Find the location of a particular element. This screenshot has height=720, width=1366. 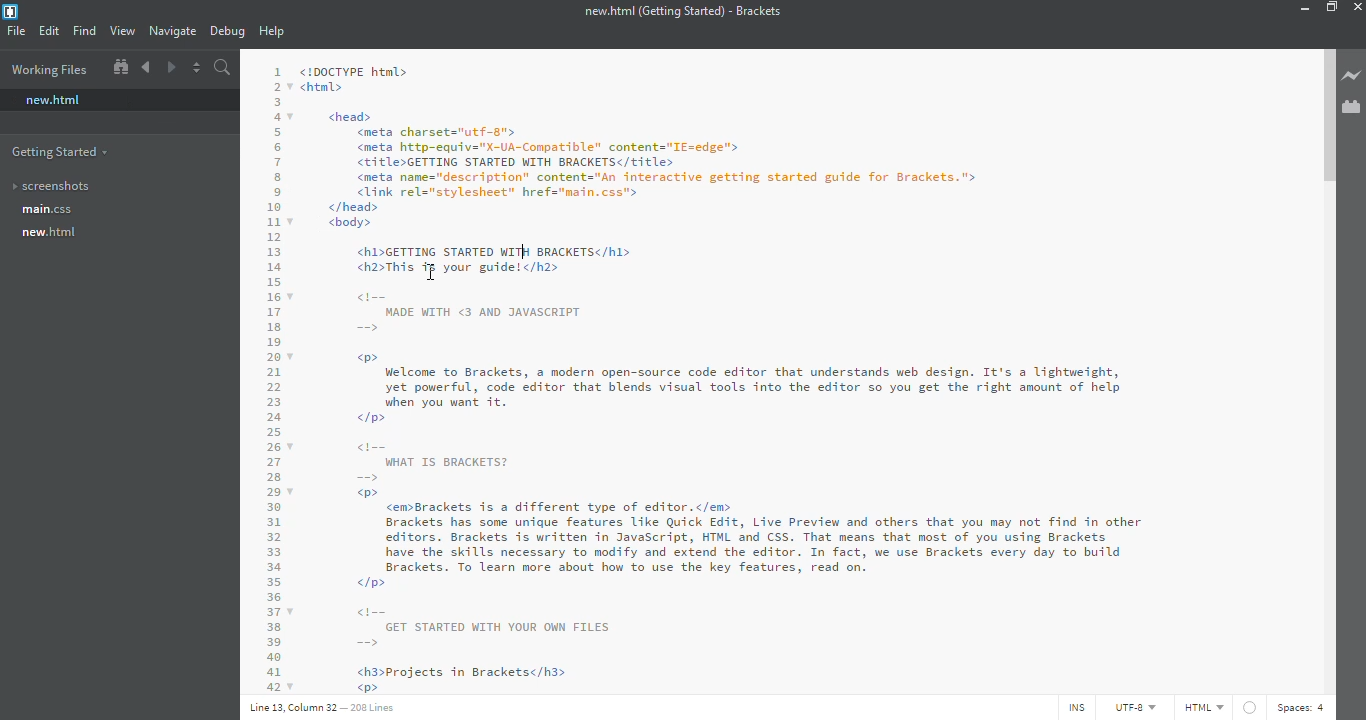

vertical scroll bar is located at coordinates (1327, 114).